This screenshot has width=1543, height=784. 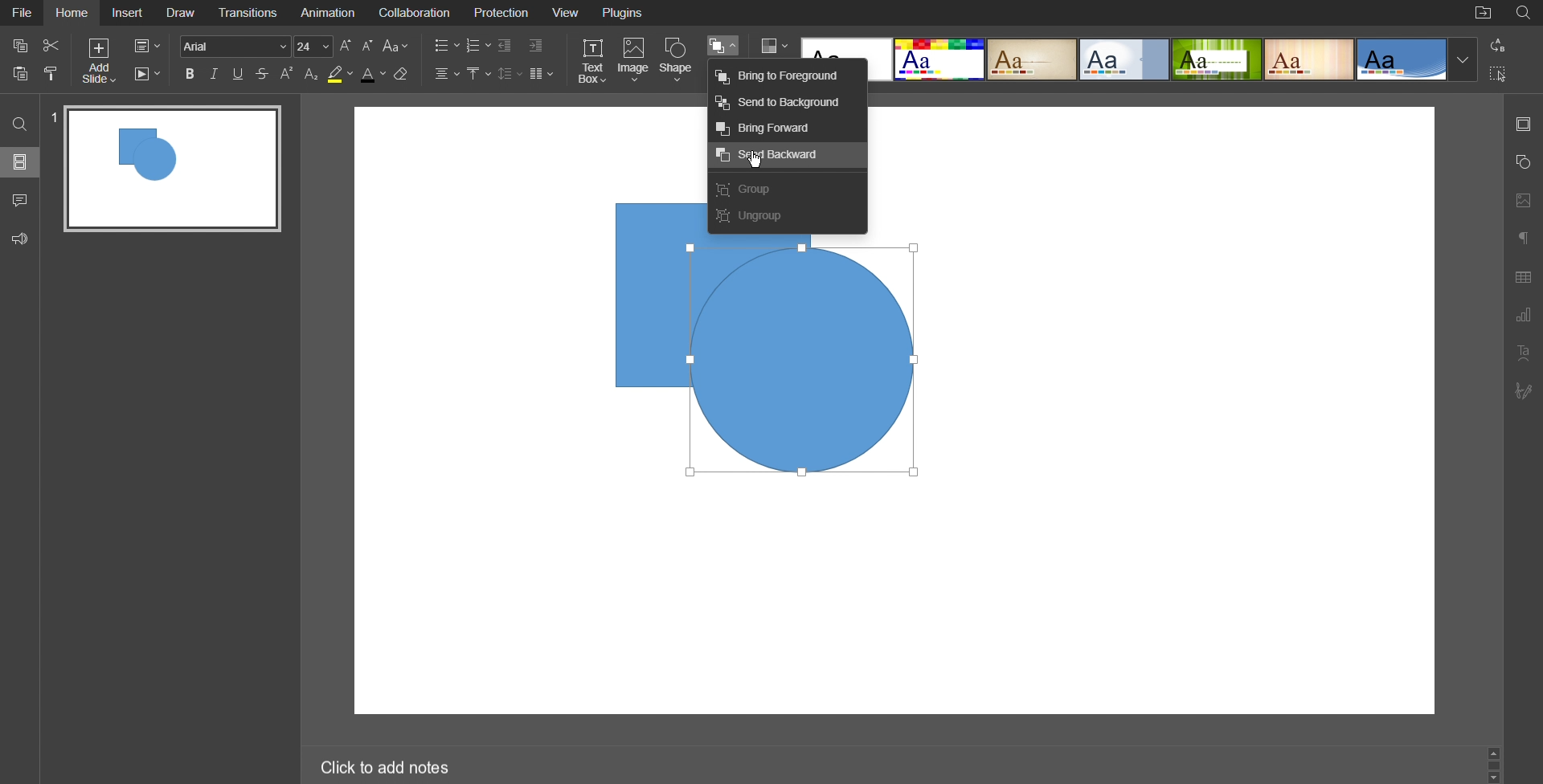 I want to click on Open File Location, so click(x=1483, y=12).